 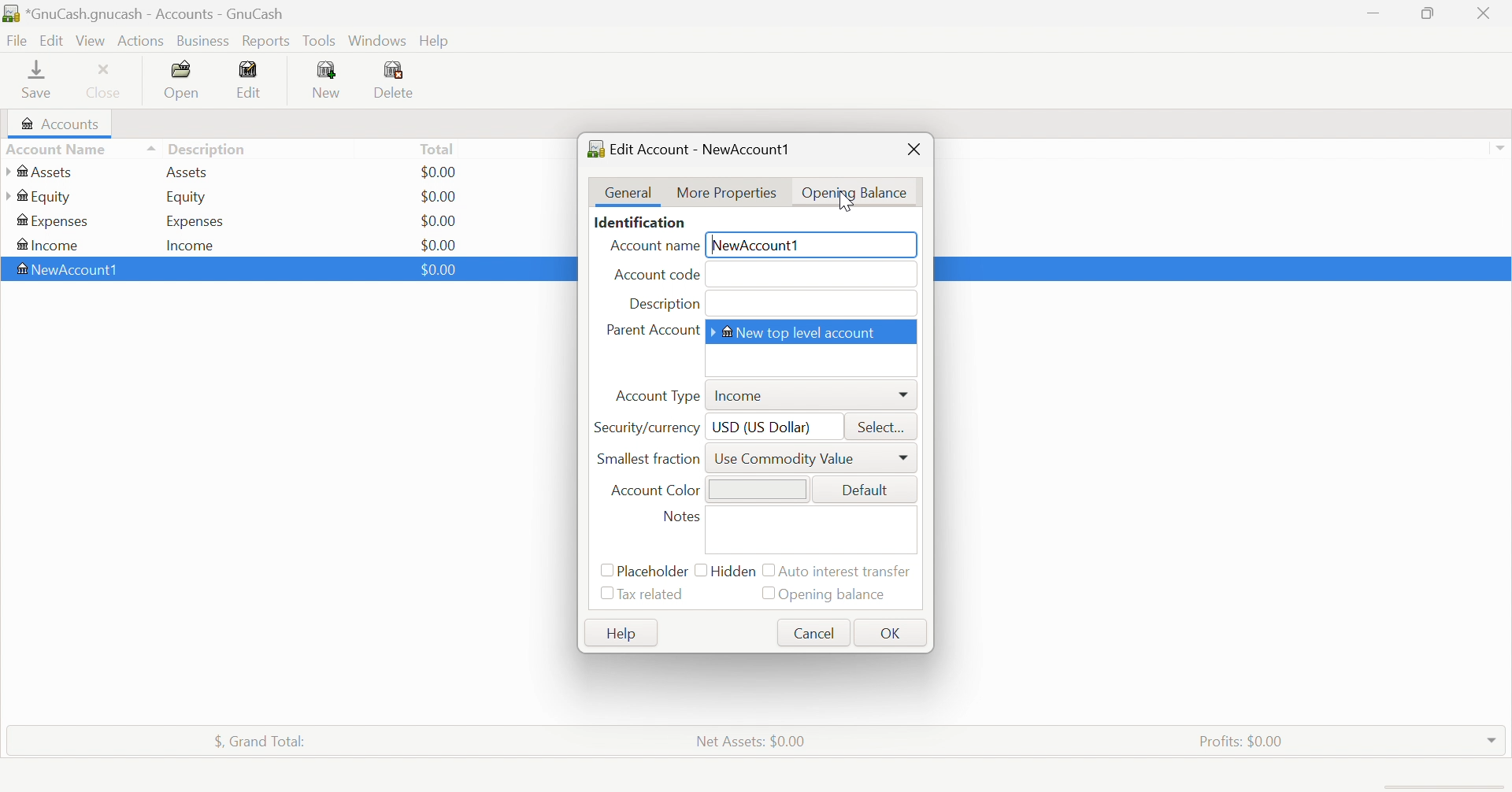 What do you see at coordinates (606, 595) in the screenshot?
I see `Checkbox` at bounding box center [606, 595].